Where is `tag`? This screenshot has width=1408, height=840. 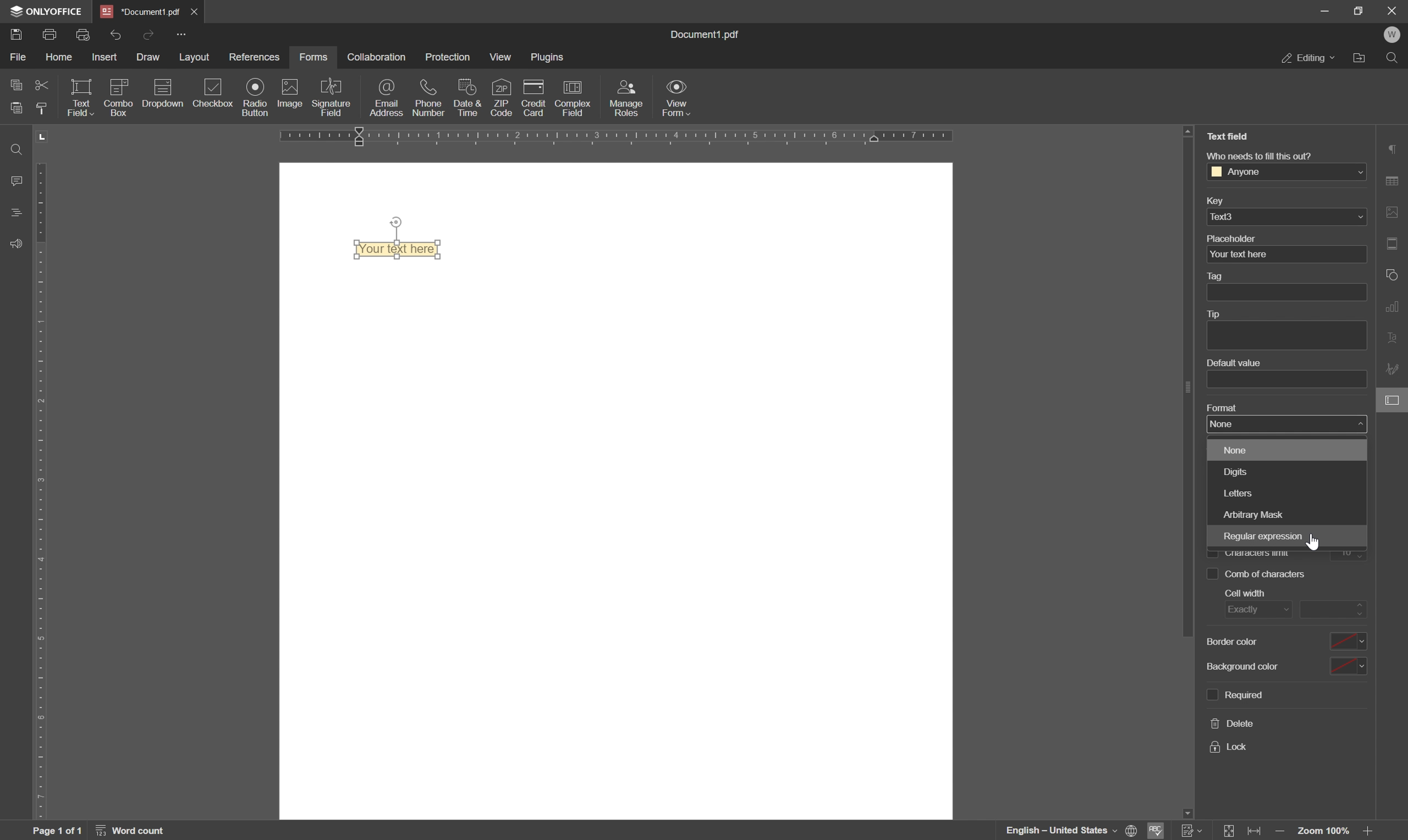 tag is located at coordinates (1218, 277).